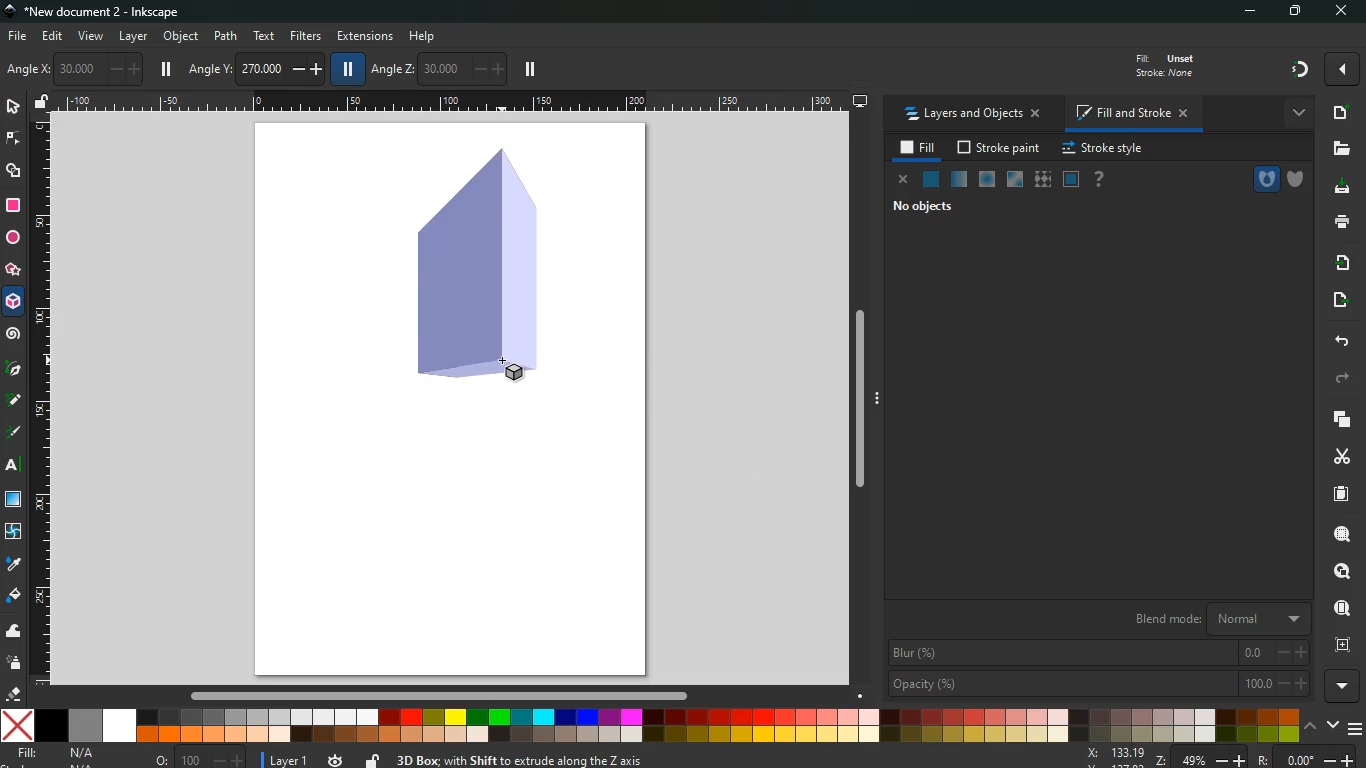 The image size is (1366, 768). What do you see at coordinates (42, 103) in the screenshot?
I see `unlock` at bounding box center [42, 103].